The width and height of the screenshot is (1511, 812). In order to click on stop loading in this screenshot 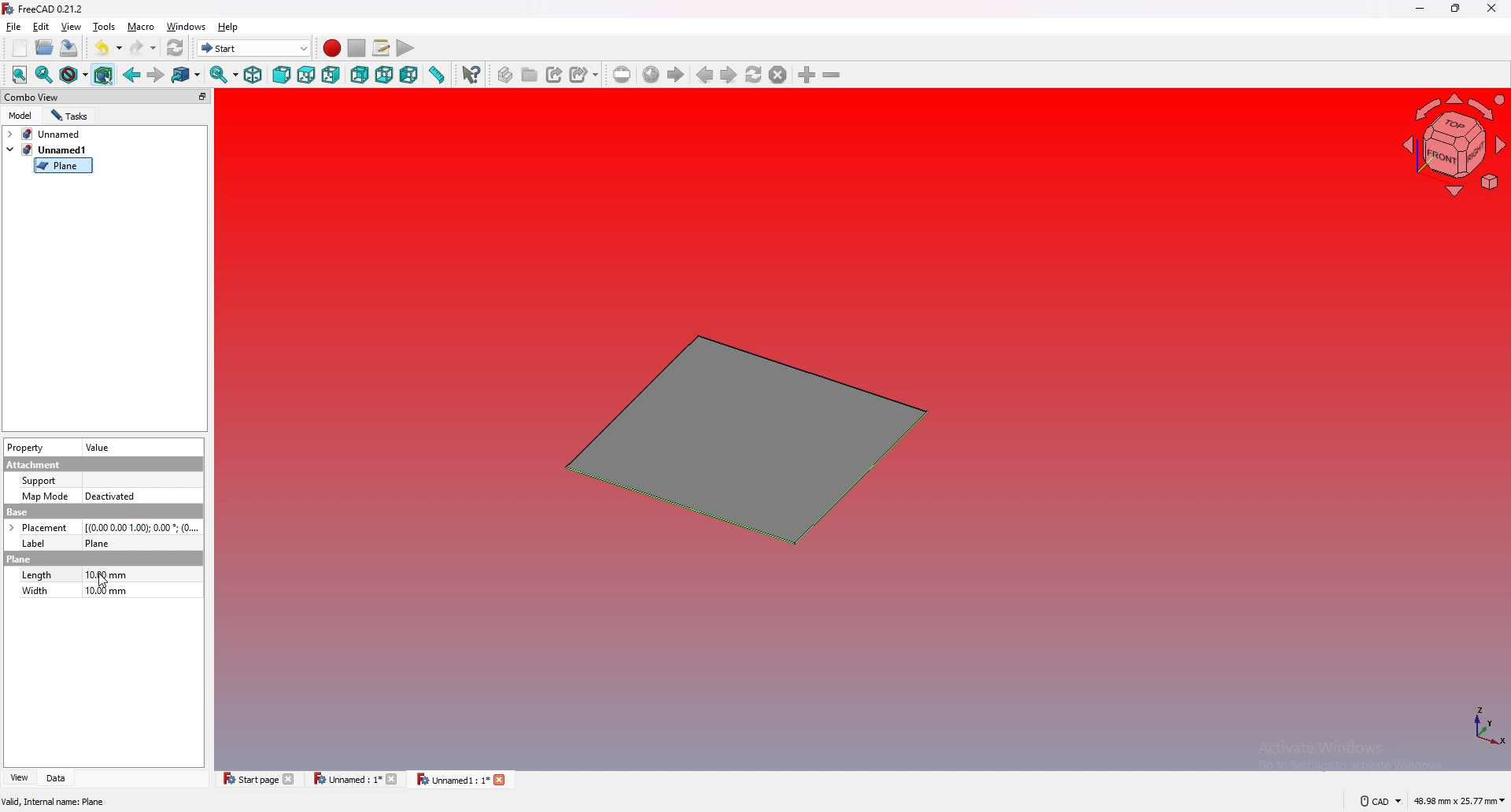, I will do `click(778, 75)`.